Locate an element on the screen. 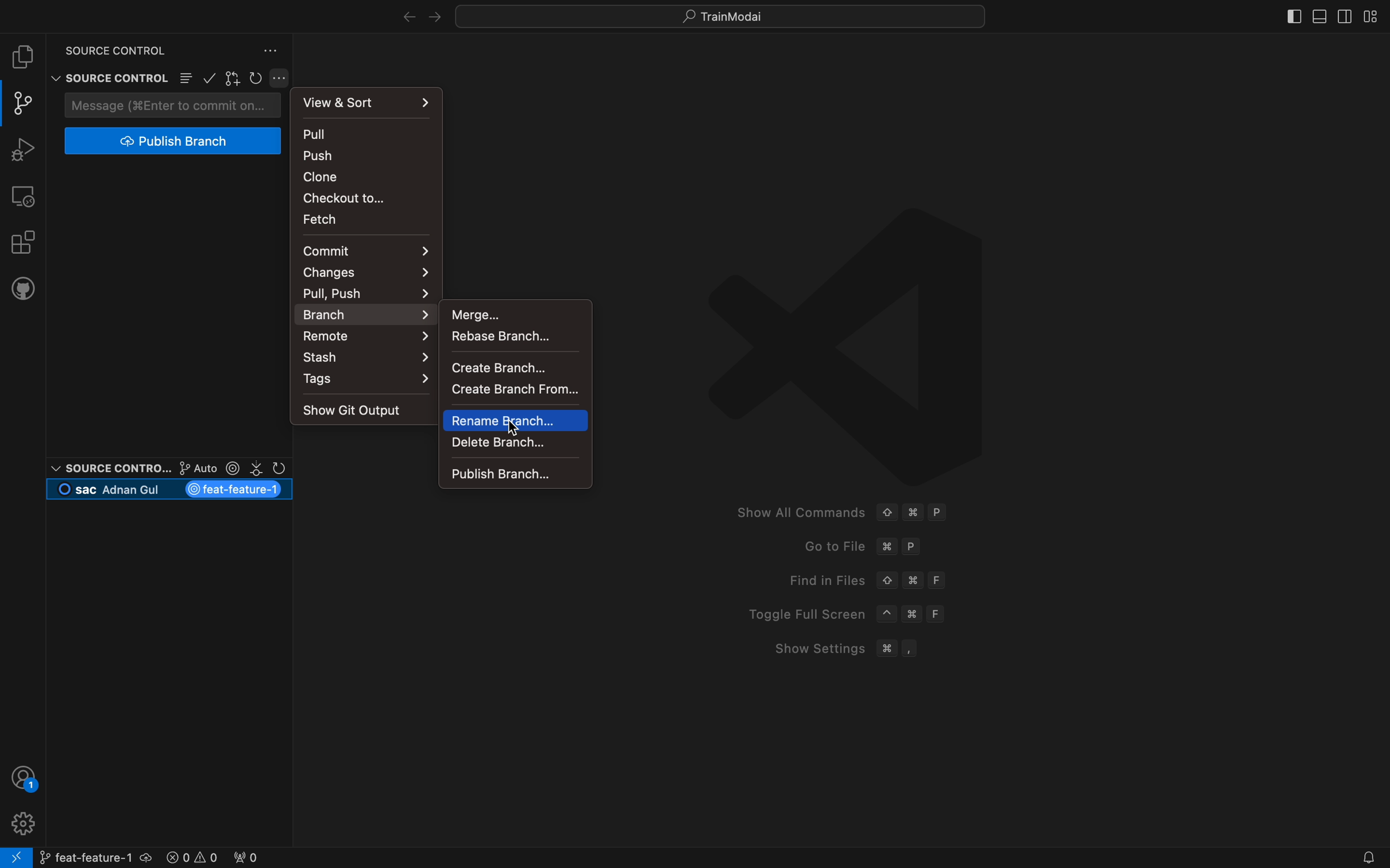 Image resolution: width=1390 pixels, height=868 pixels. remote is located at coordinates (363, 336).